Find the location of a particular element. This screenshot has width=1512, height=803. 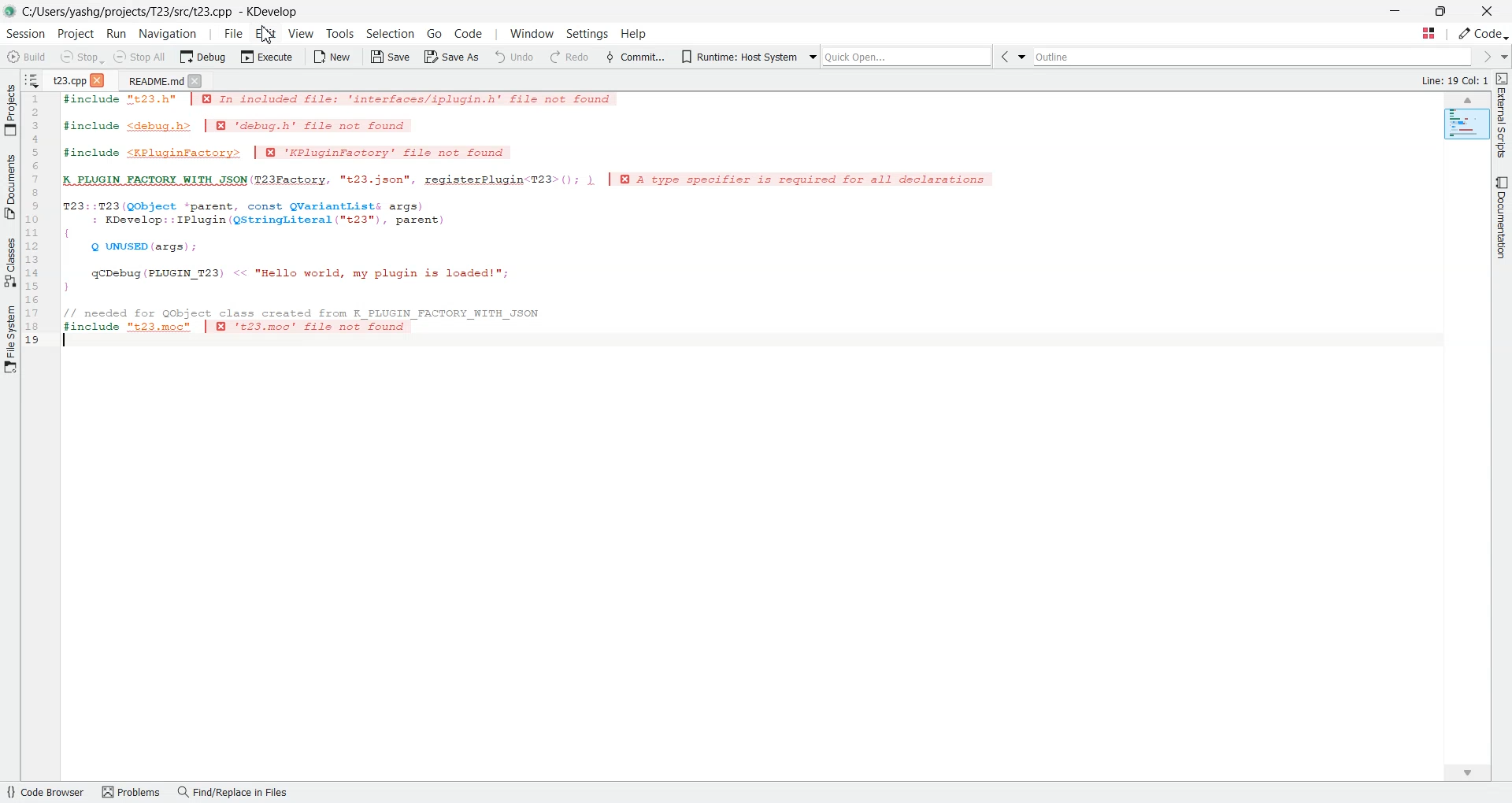

Find/Replace in files is located at coordinates (234, 794).